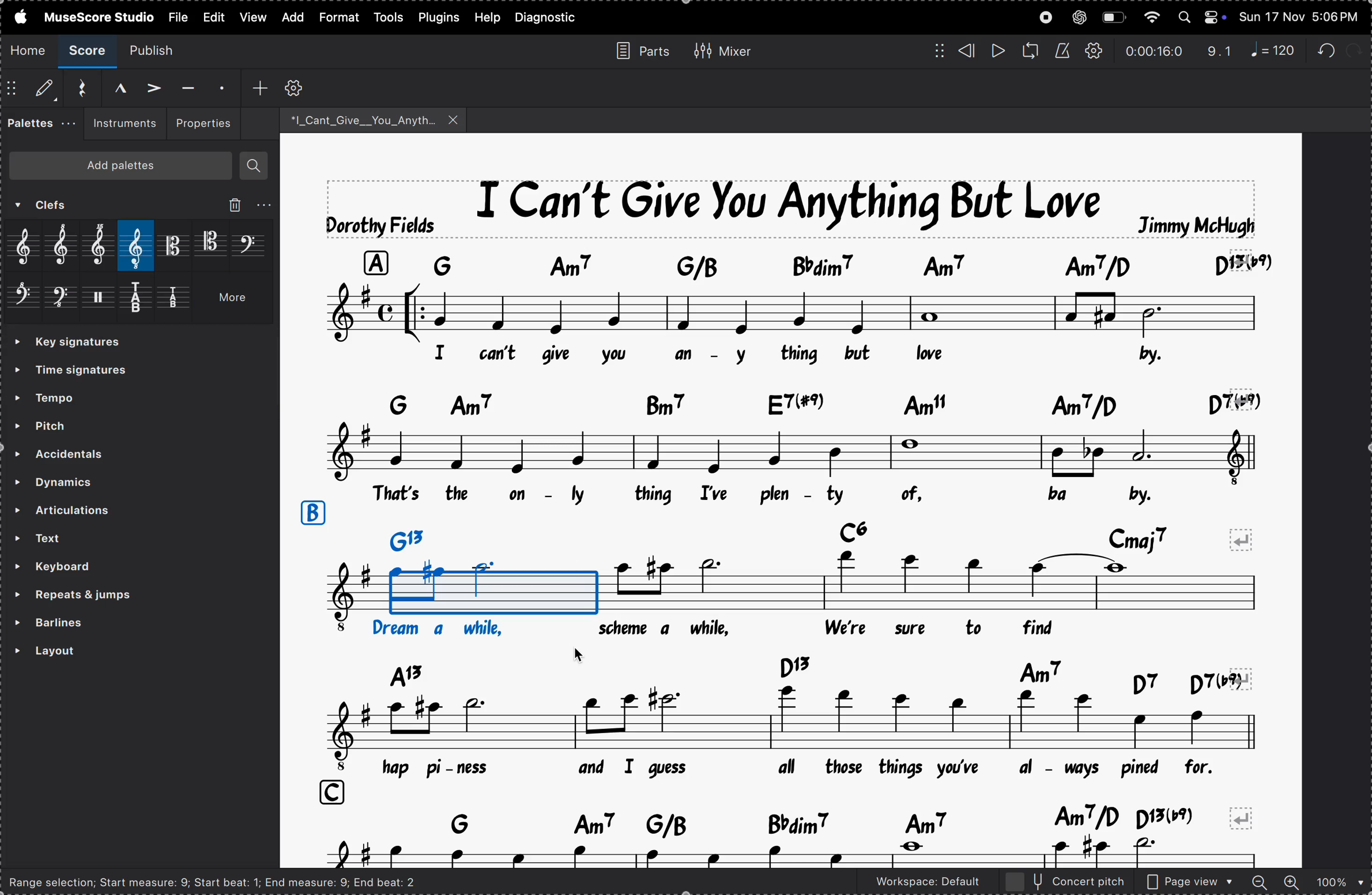 Image resolution: width=1372 pixels, height=895 pixels. What do you see at coordinates (732, 633) in the screenshot?
I see `lyrics` at bounding box center [732, 633].